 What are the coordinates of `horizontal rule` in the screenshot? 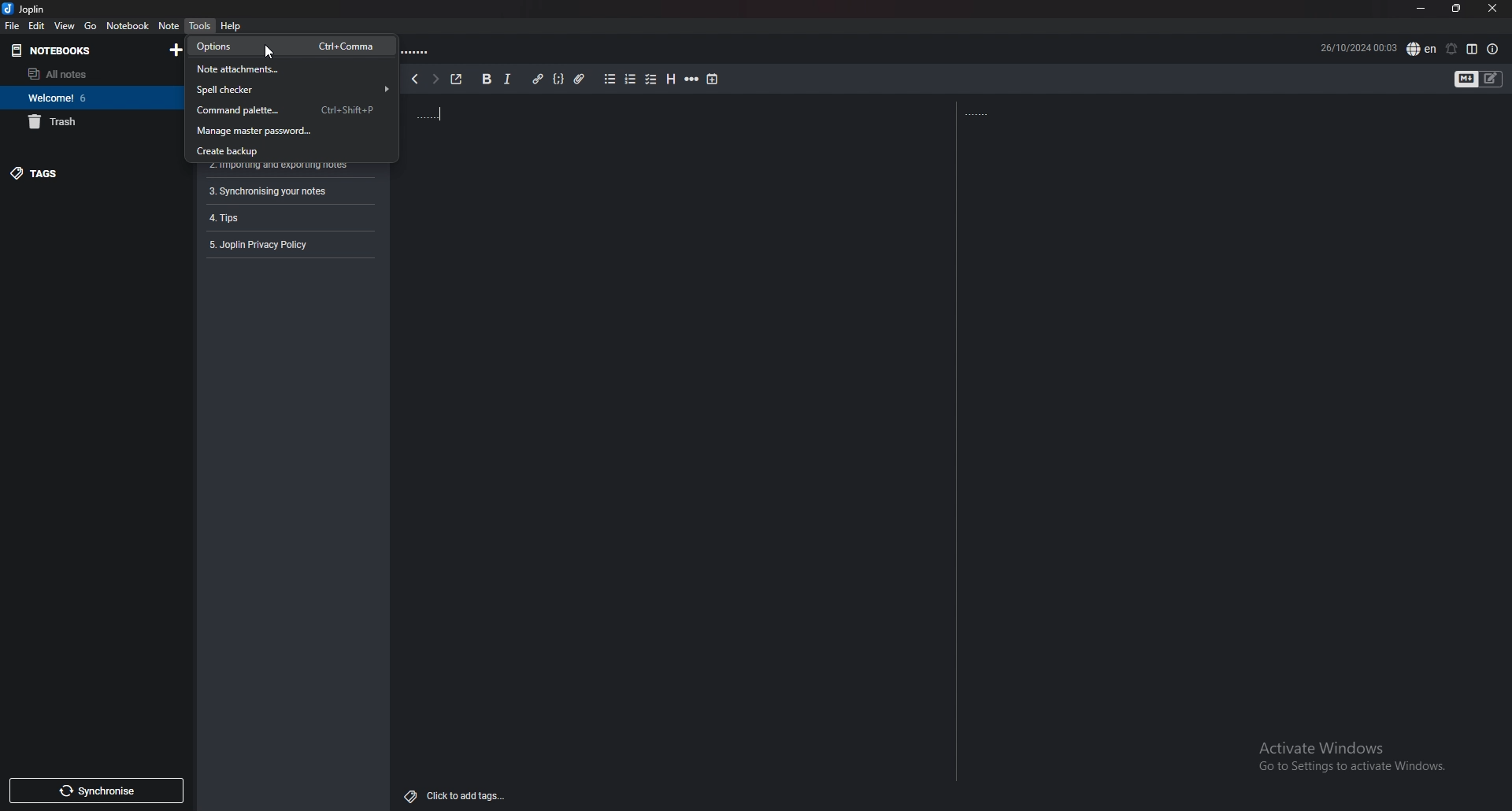 It's located at (693, 79).